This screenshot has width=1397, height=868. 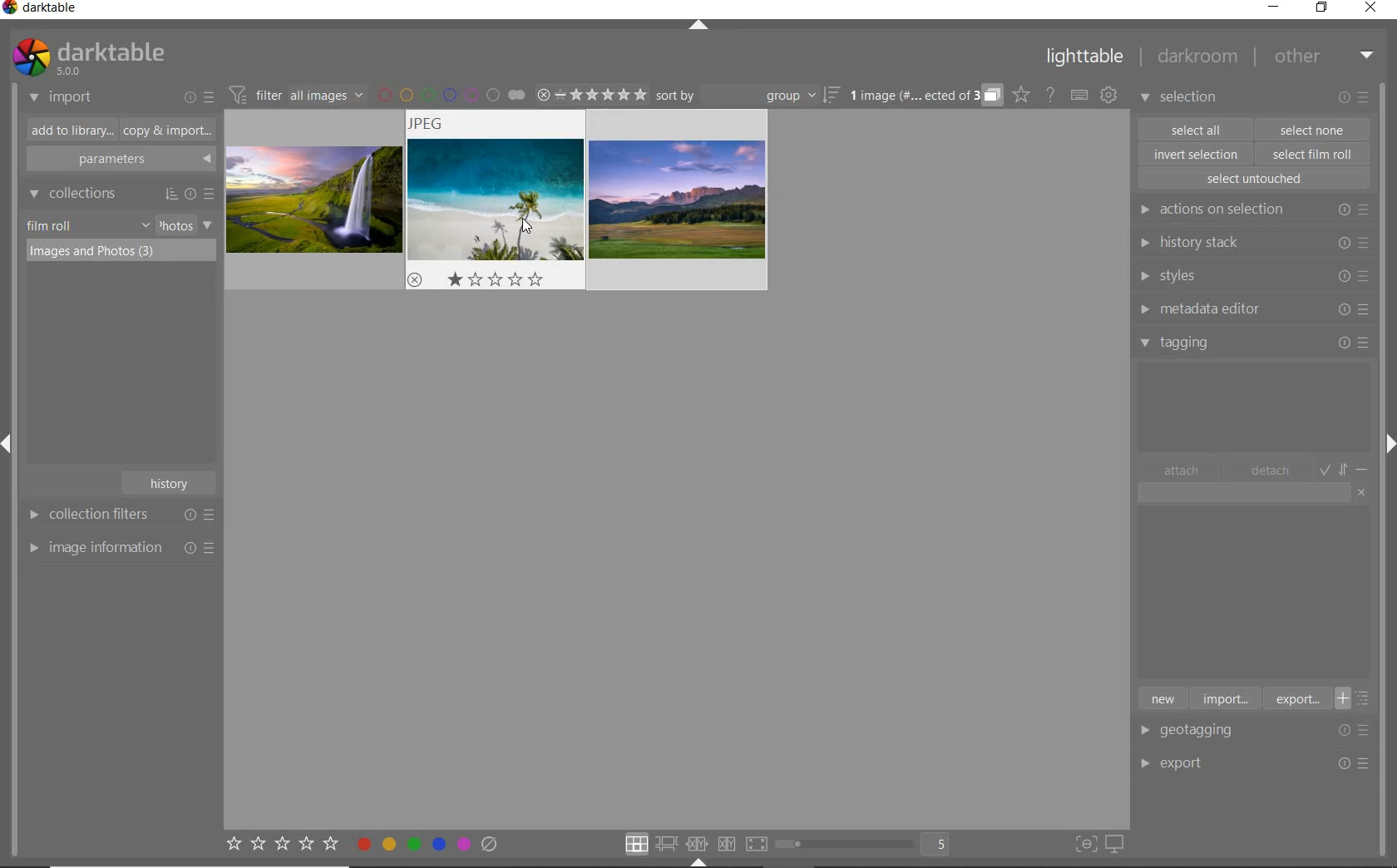 I want to click on close, so click(x=1374, y=9).